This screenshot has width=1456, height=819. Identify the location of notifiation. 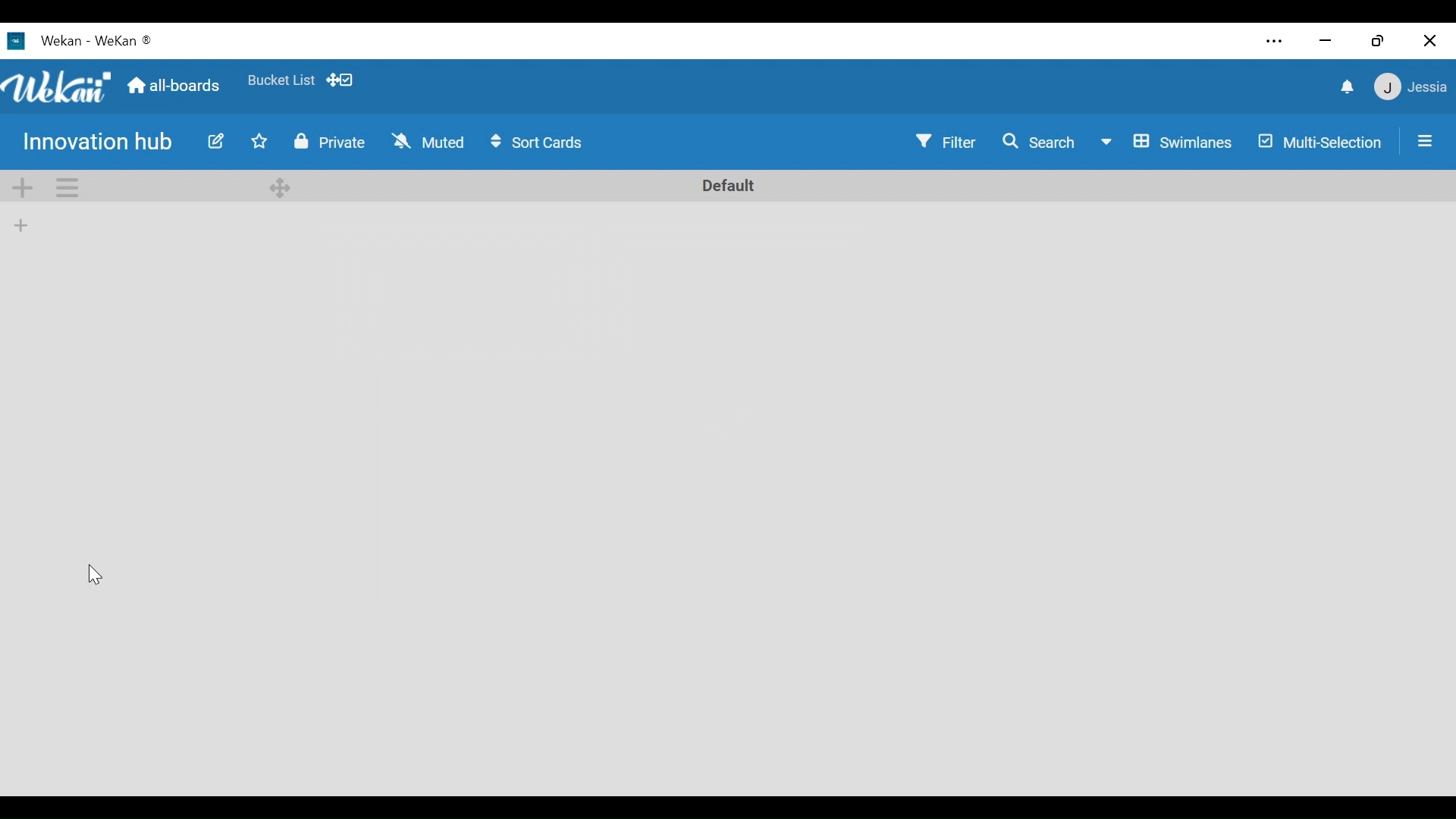
(1345, 87).